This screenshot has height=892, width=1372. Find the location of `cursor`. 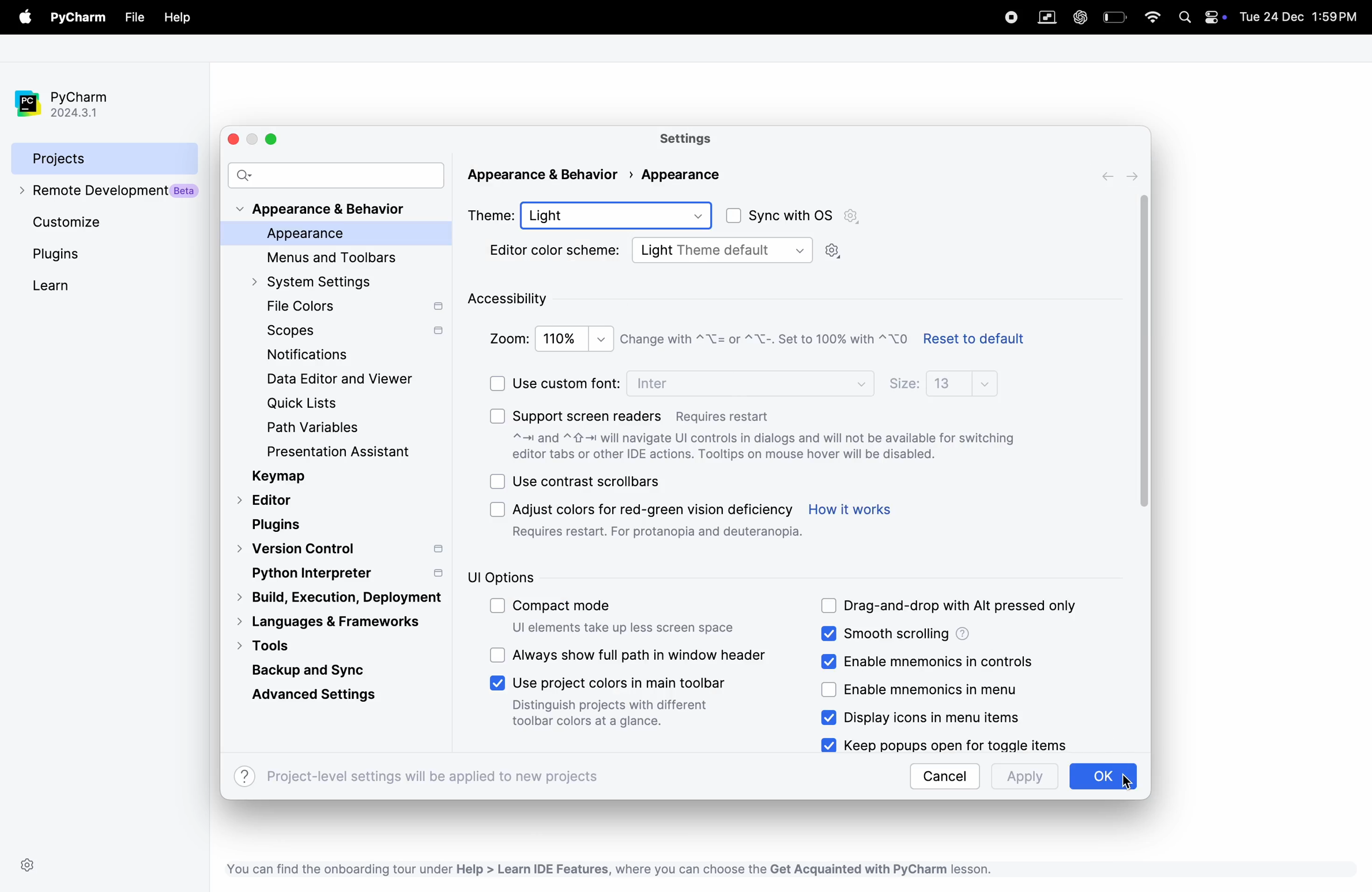

cursor is located at coordinates (1134, 782).